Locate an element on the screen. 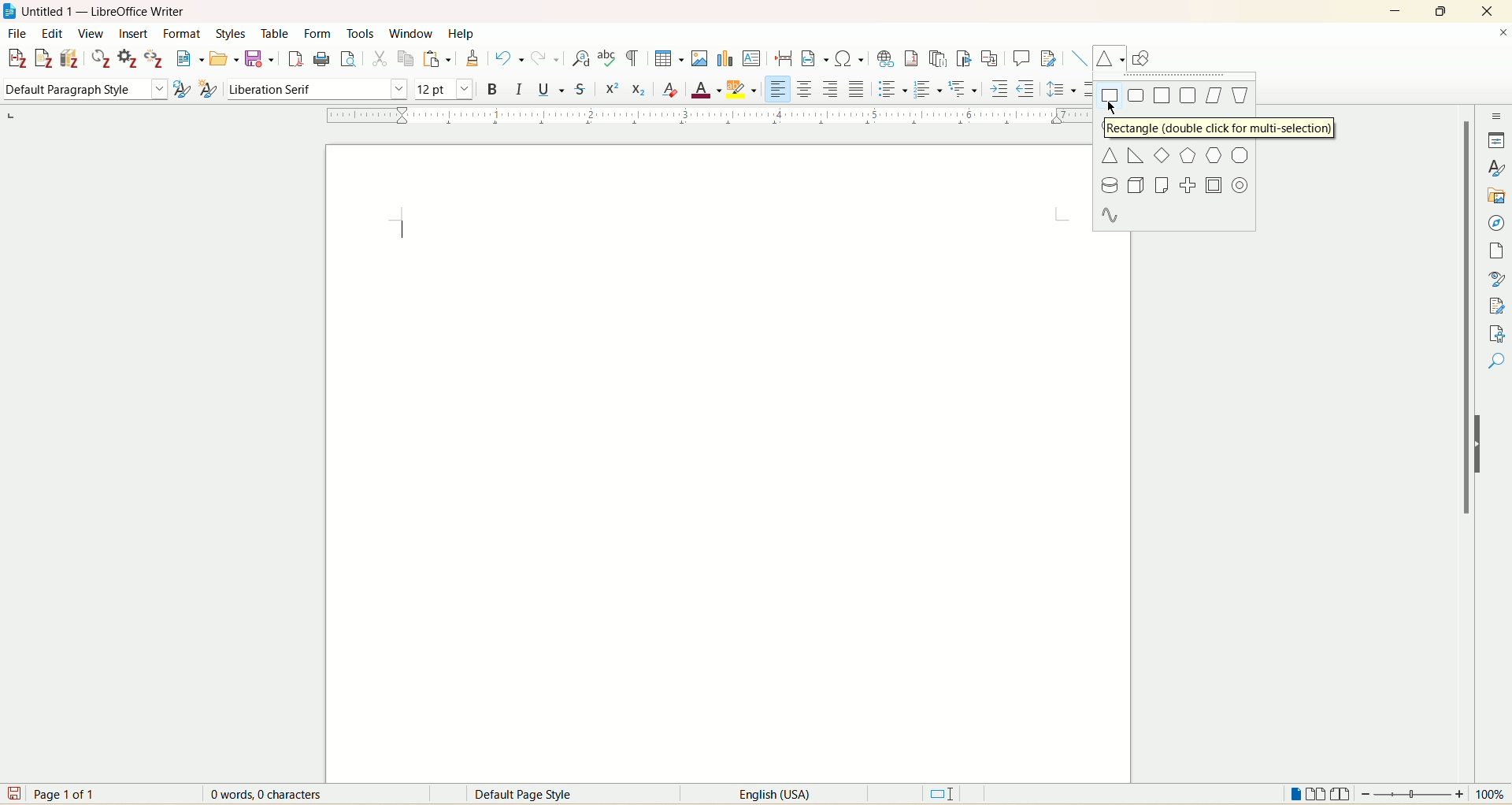 This screenshot has width=1512, height=805. insert chart is located at coordinates (724, 57).